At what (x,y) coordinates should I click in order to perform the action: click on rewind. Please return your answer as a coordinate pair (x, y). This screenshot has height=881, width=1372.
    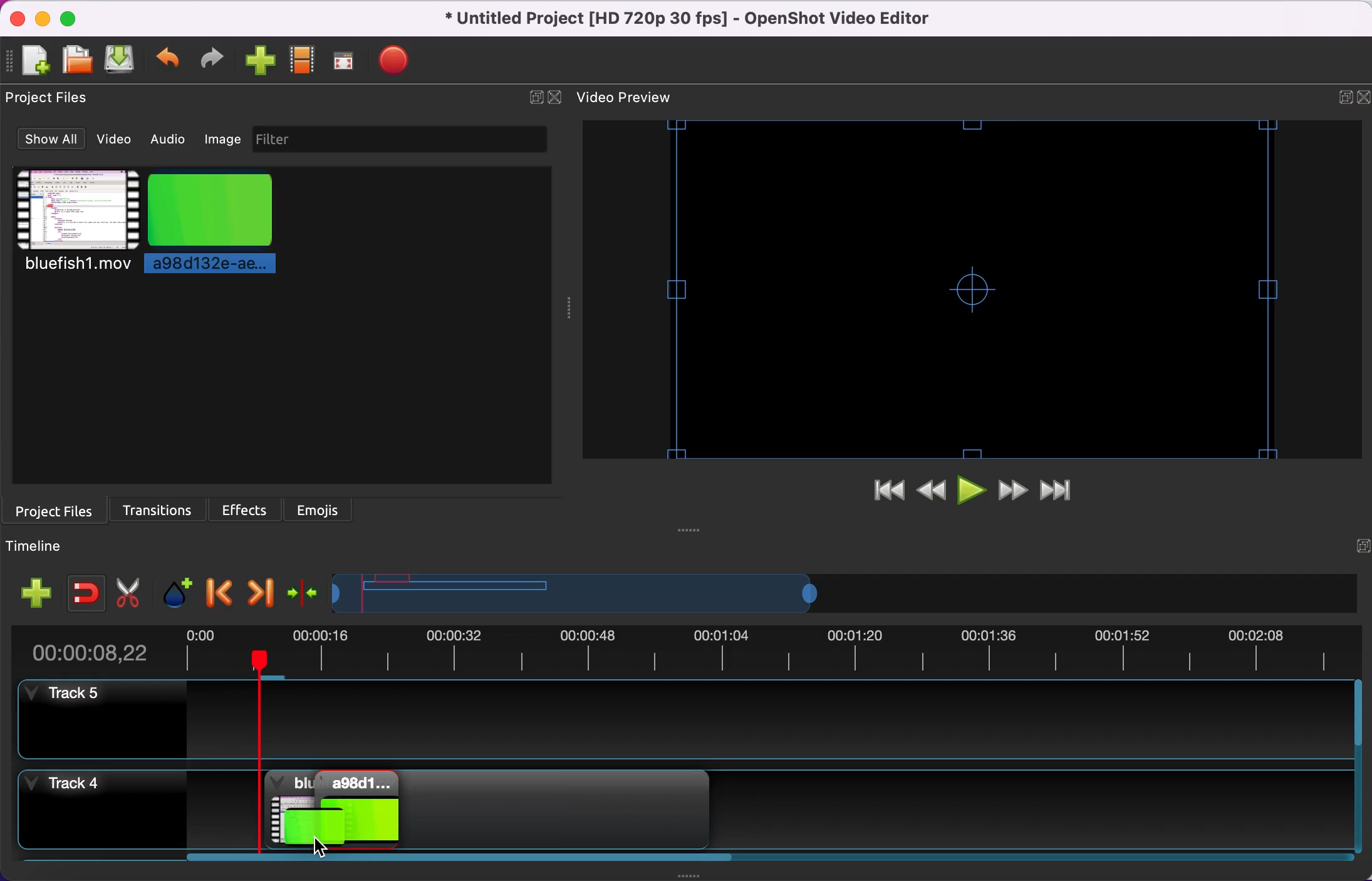
    Looking at the image, I should click on (932, 491).